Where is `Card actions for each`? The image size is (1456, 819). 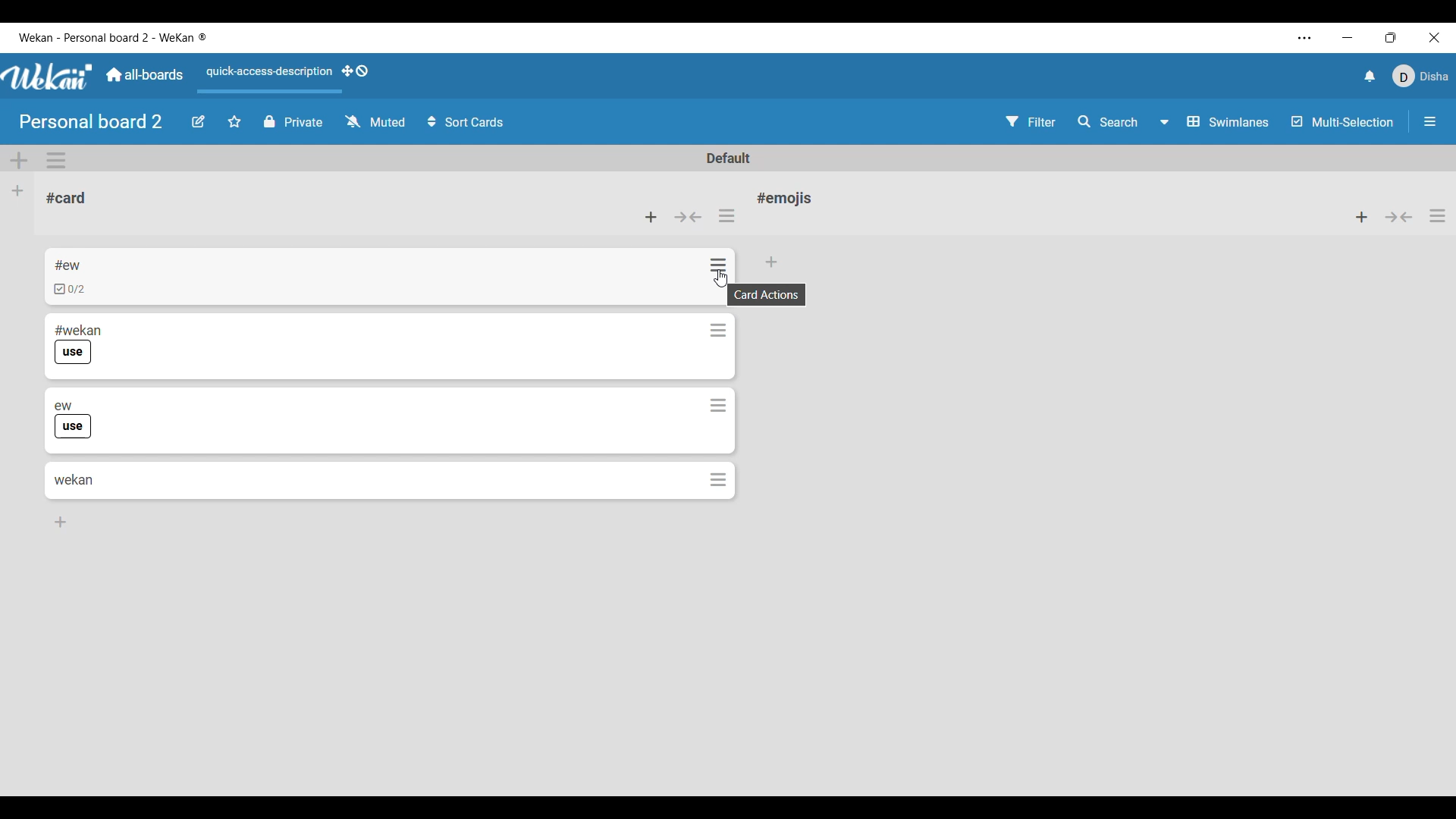
Card actions for each is located at coordinates (719, 373).